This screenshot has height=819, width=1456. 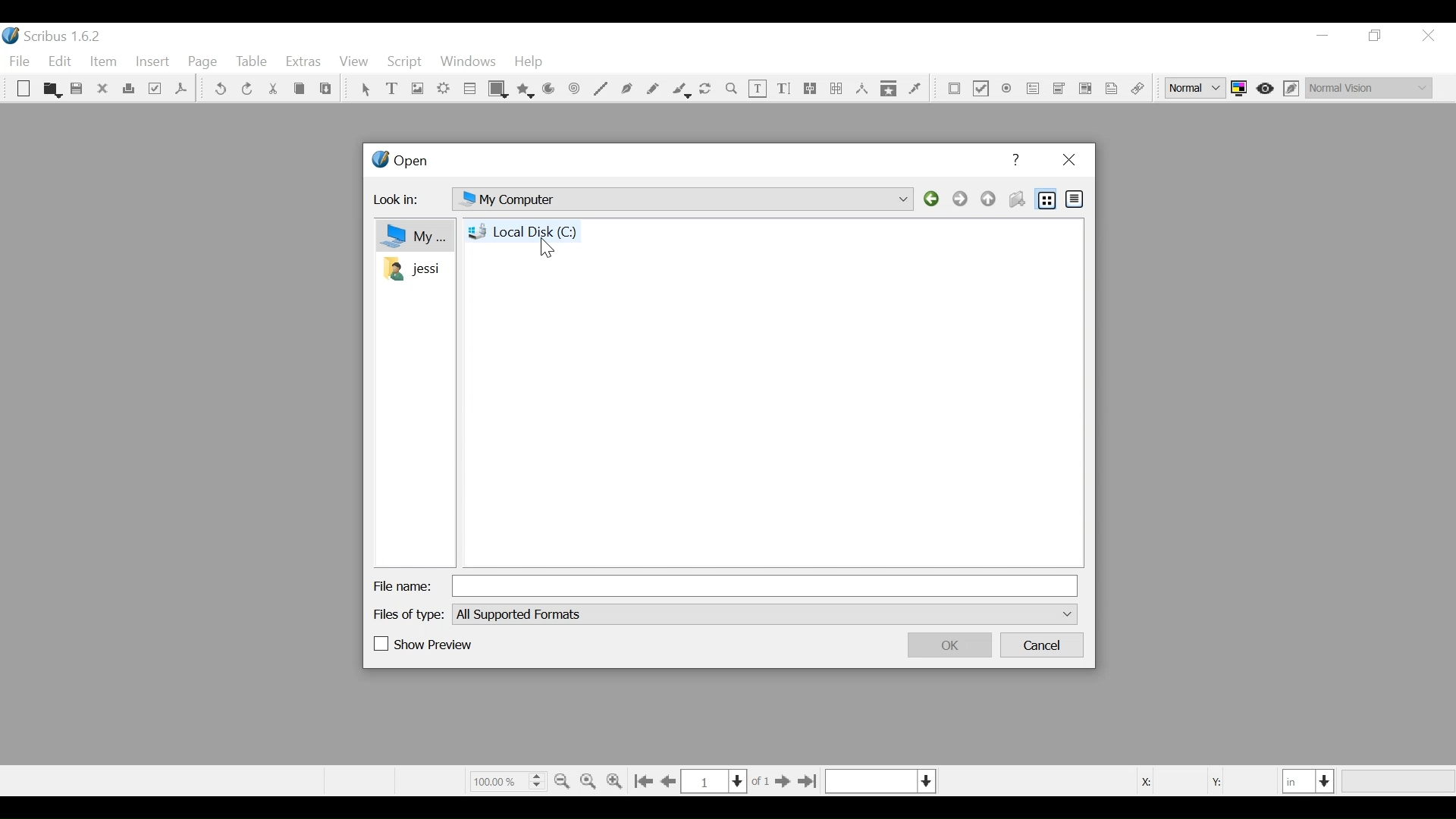 I want to click on Zoom to 100, so click(x=590, y=779).